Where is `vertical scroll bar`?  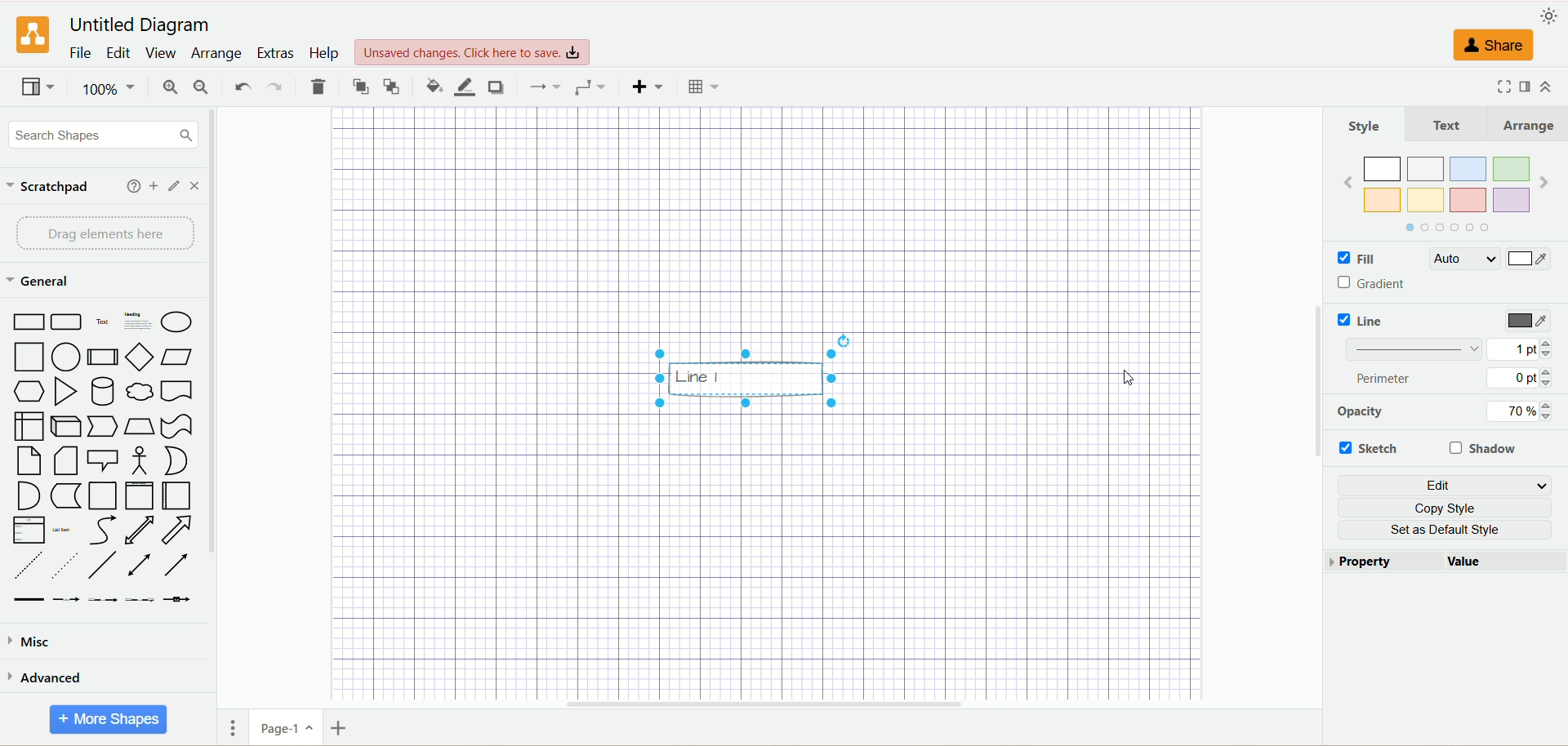 vertical scroll bar is located at coordinates (220, 407).